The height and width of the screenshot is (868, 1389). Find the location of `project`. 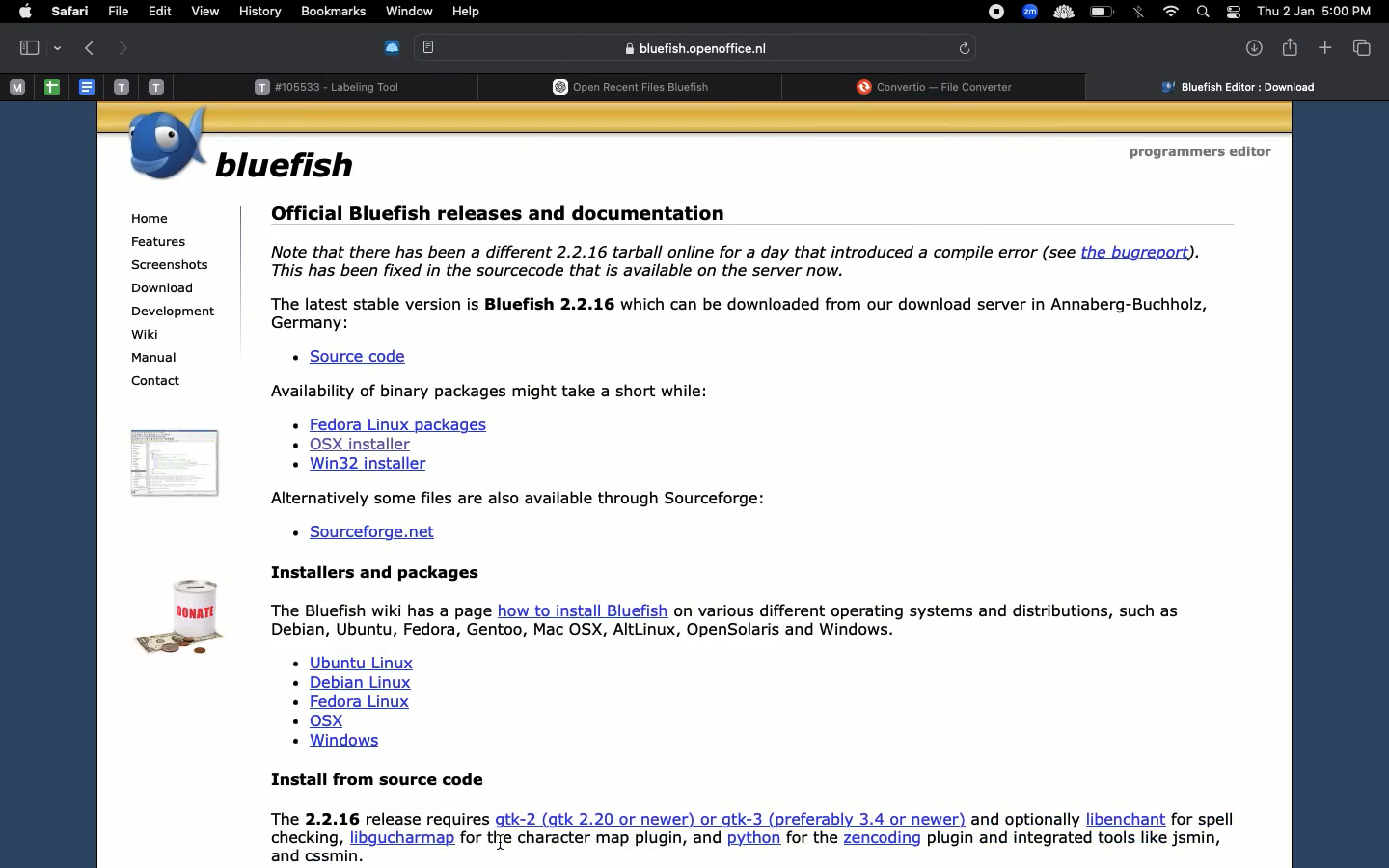

project is located at coordinates (390, 12).